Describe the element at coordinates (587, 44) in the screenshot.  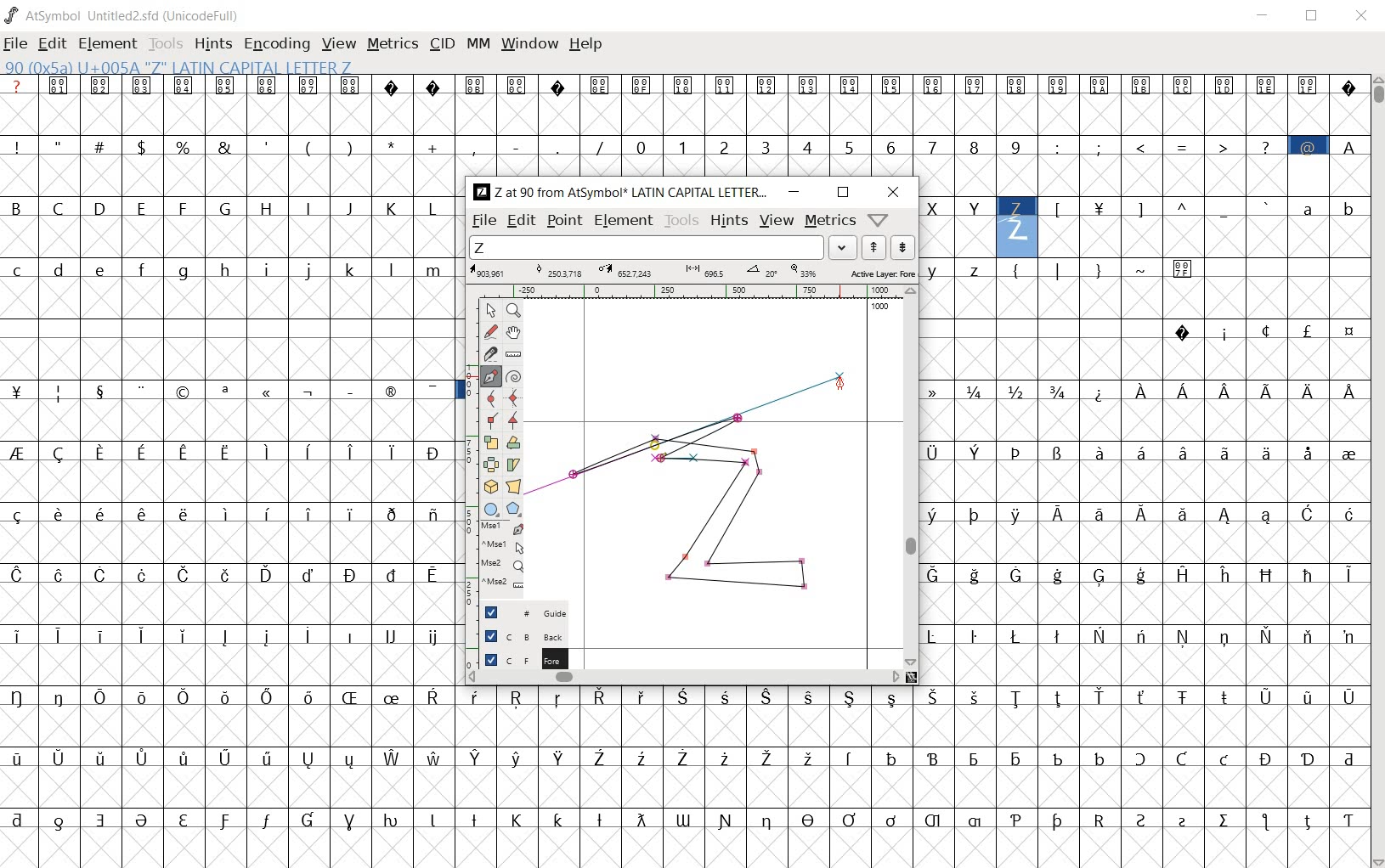
I see `help` at that location.